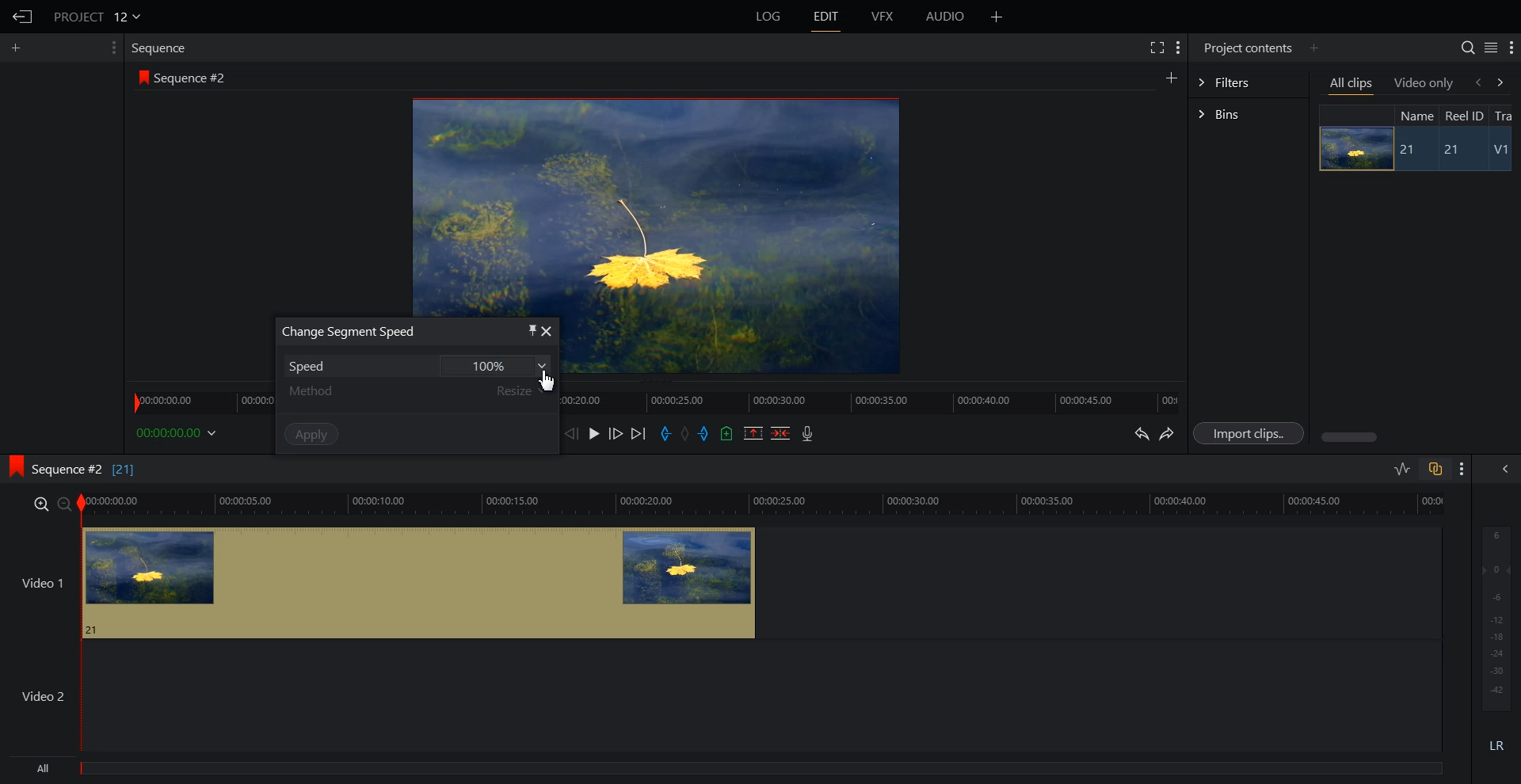 Image resolution: width=1521 pixels, height=784 pixels. I want to click on Add panel, so click(1313, 48).